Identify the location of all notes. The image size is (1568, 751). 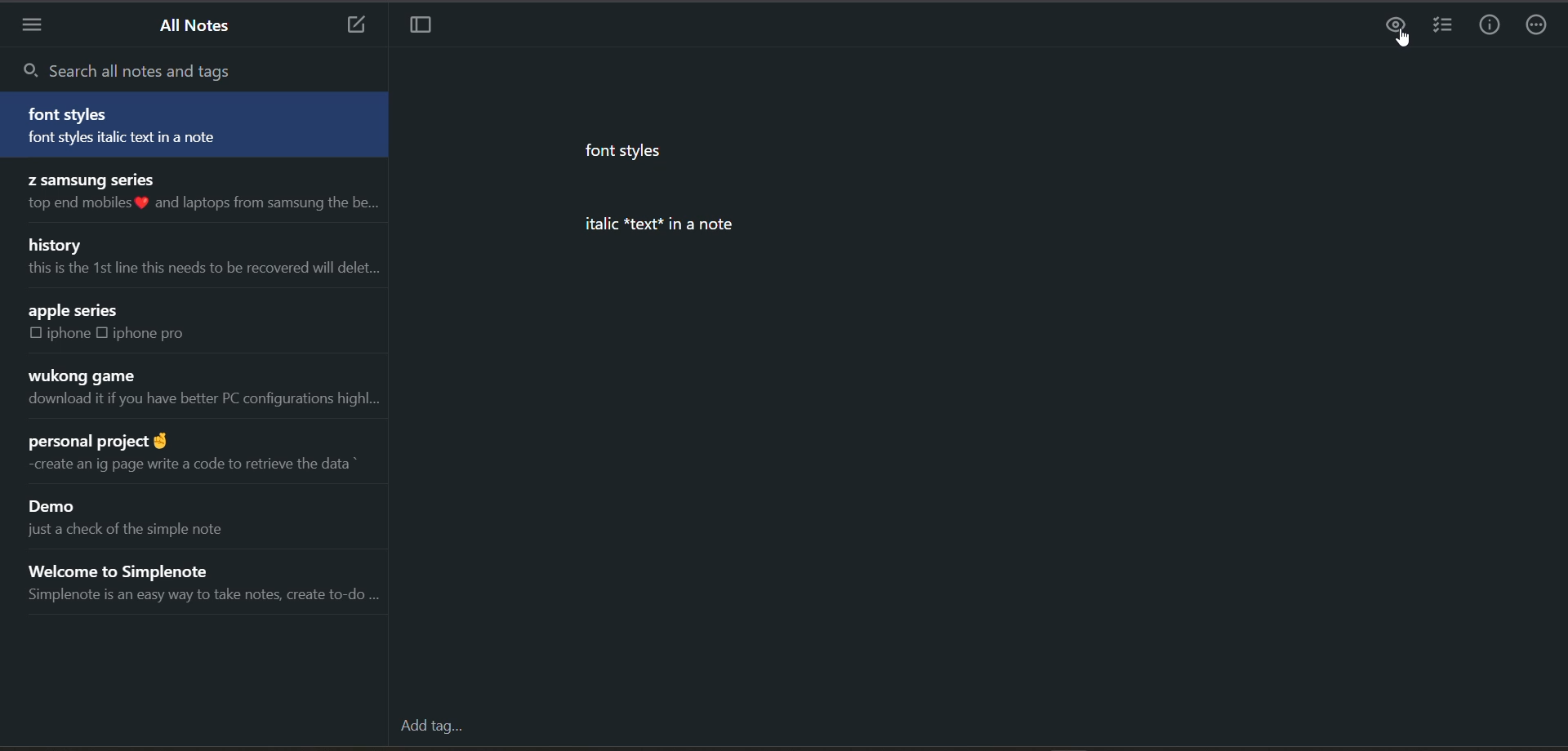
(199, 29).